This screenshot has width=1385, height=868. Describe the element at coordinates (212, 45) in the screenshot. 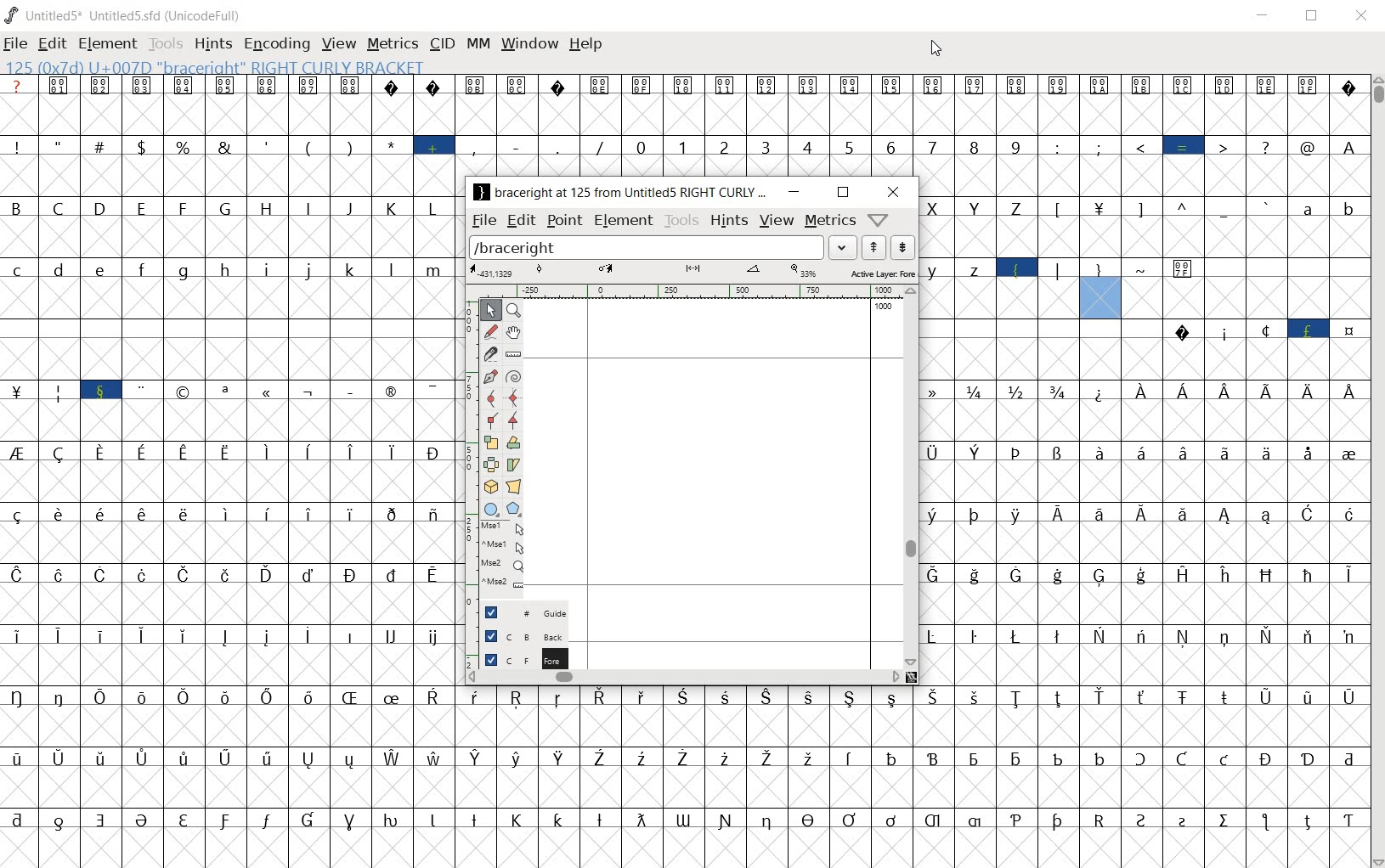

I see `HINTS` at that location.